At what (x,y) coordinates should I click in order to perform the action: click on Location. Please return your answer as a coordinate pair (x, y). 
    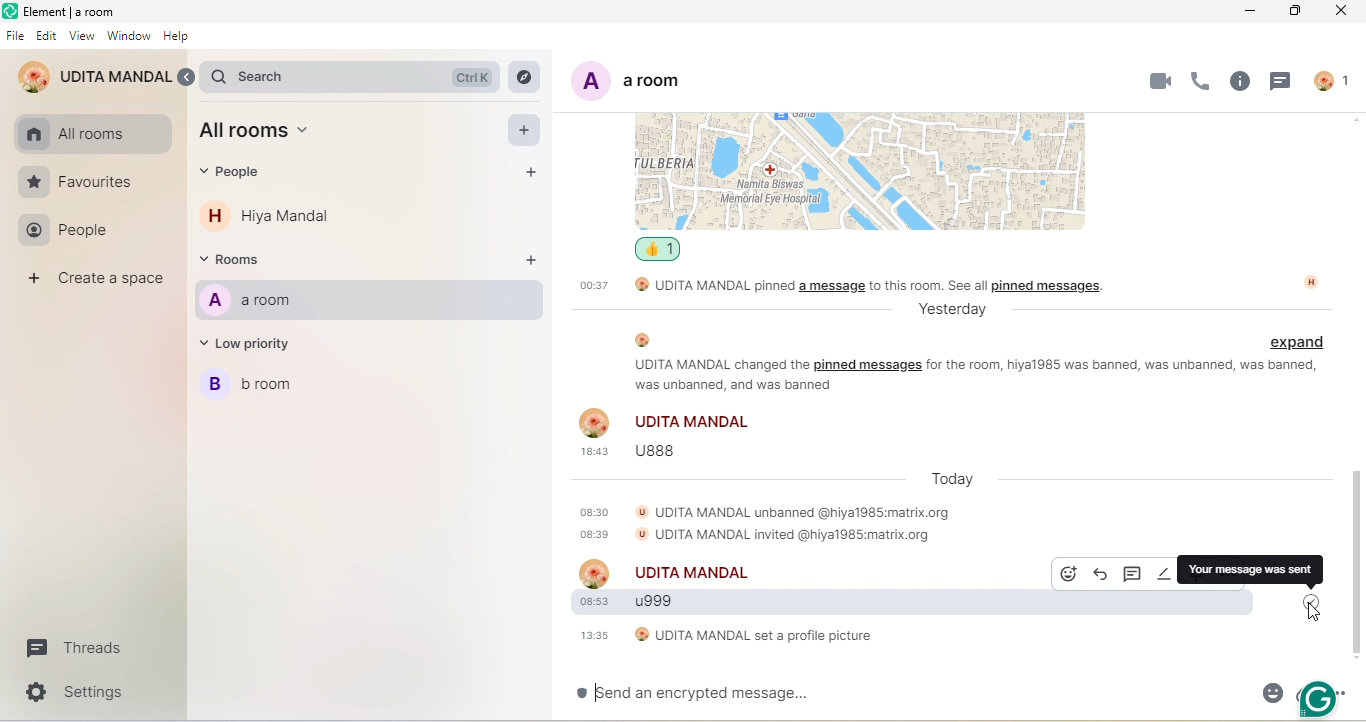
    Looking at the image, I should click on (522, 76).